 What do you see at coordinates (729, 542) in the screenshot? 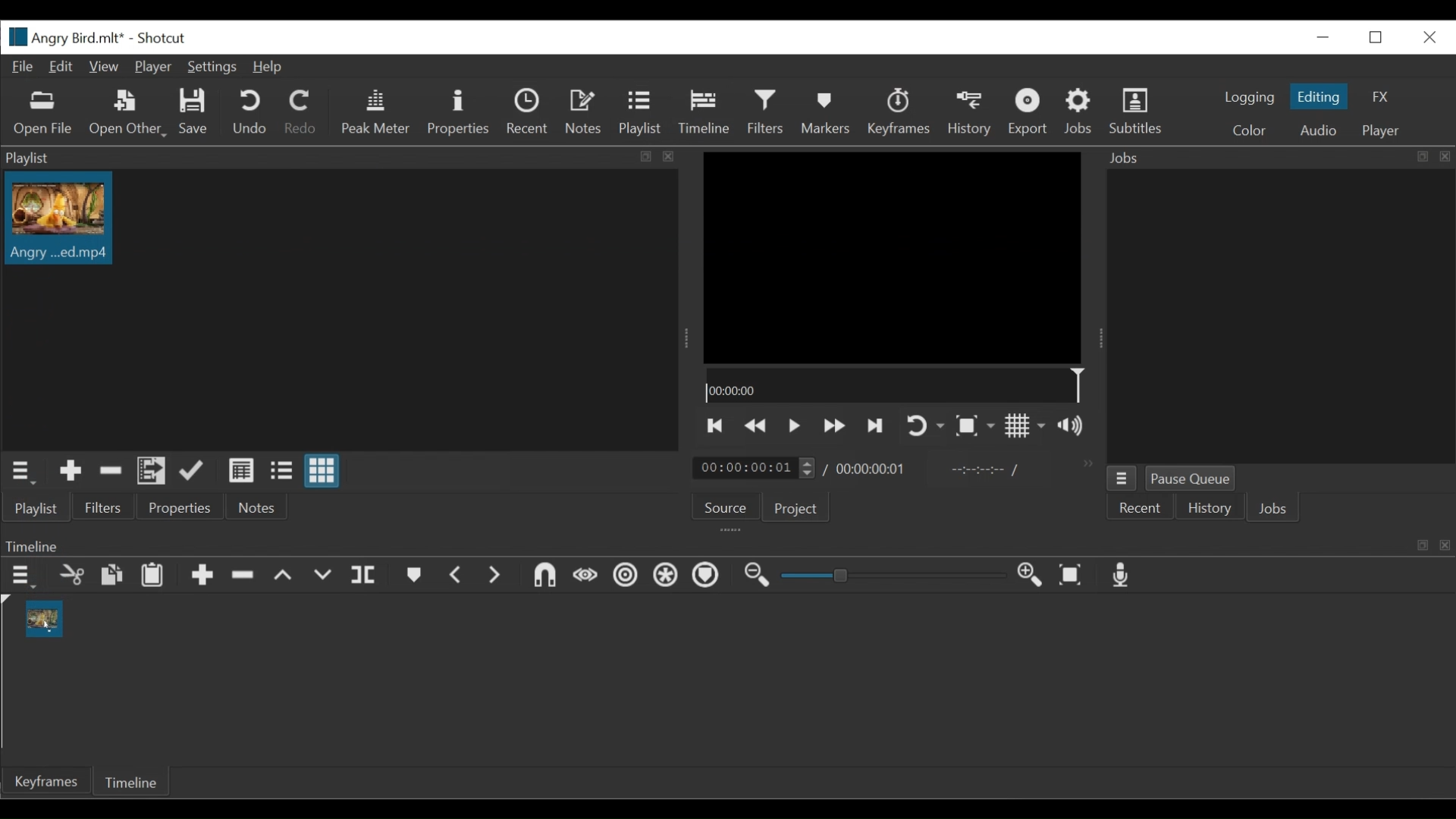
I see `Timeline Panel` at bounding box center [729, 542].